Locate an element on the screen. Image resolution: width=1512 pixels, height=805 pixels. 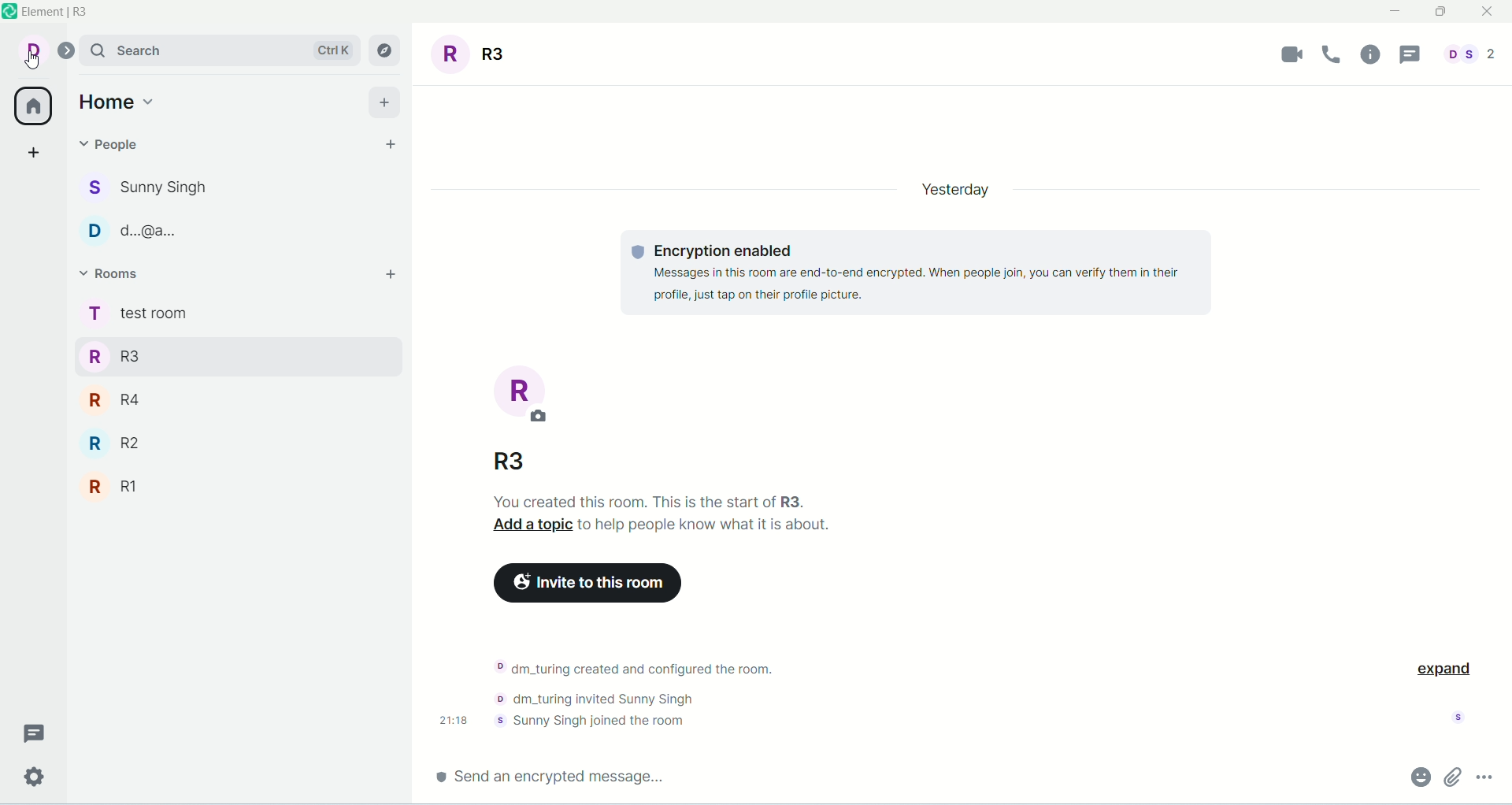
home is located at coordinates (121, 100).